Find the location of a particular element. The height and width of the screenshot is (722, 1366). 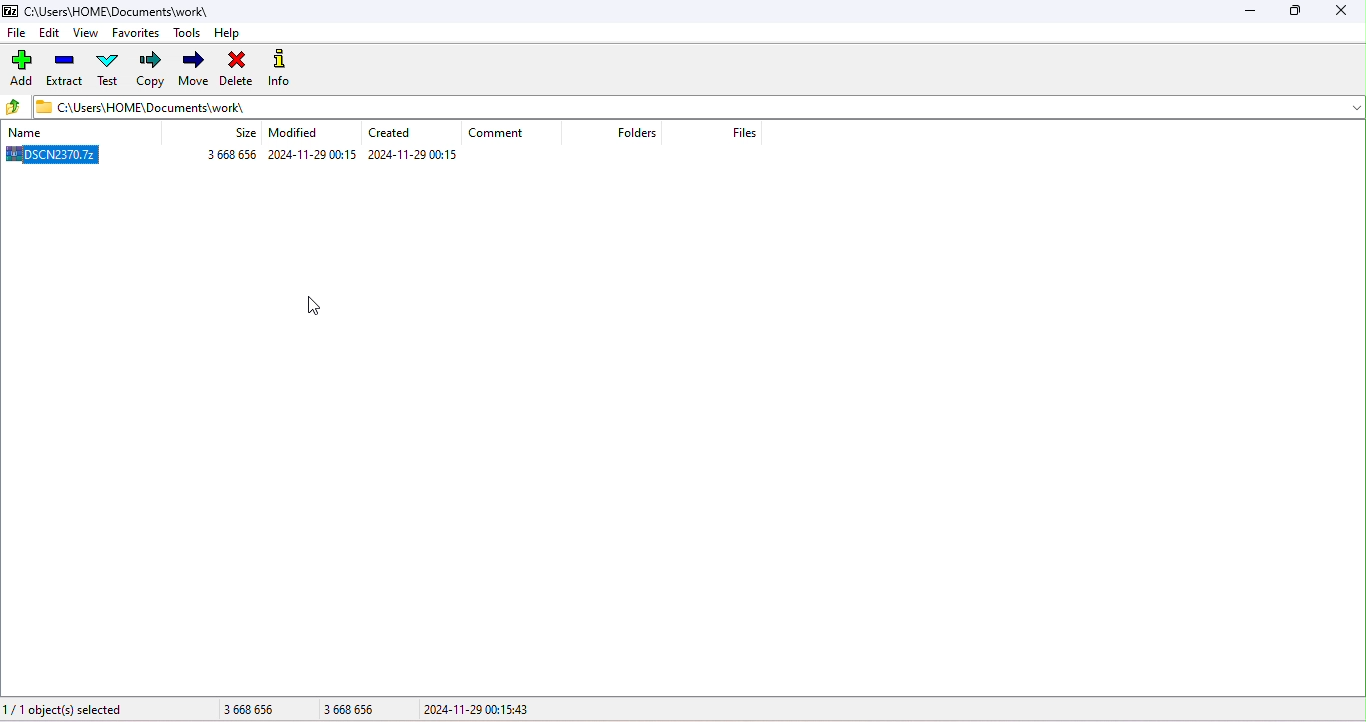

size of the document is located at coordinates (227, 157).